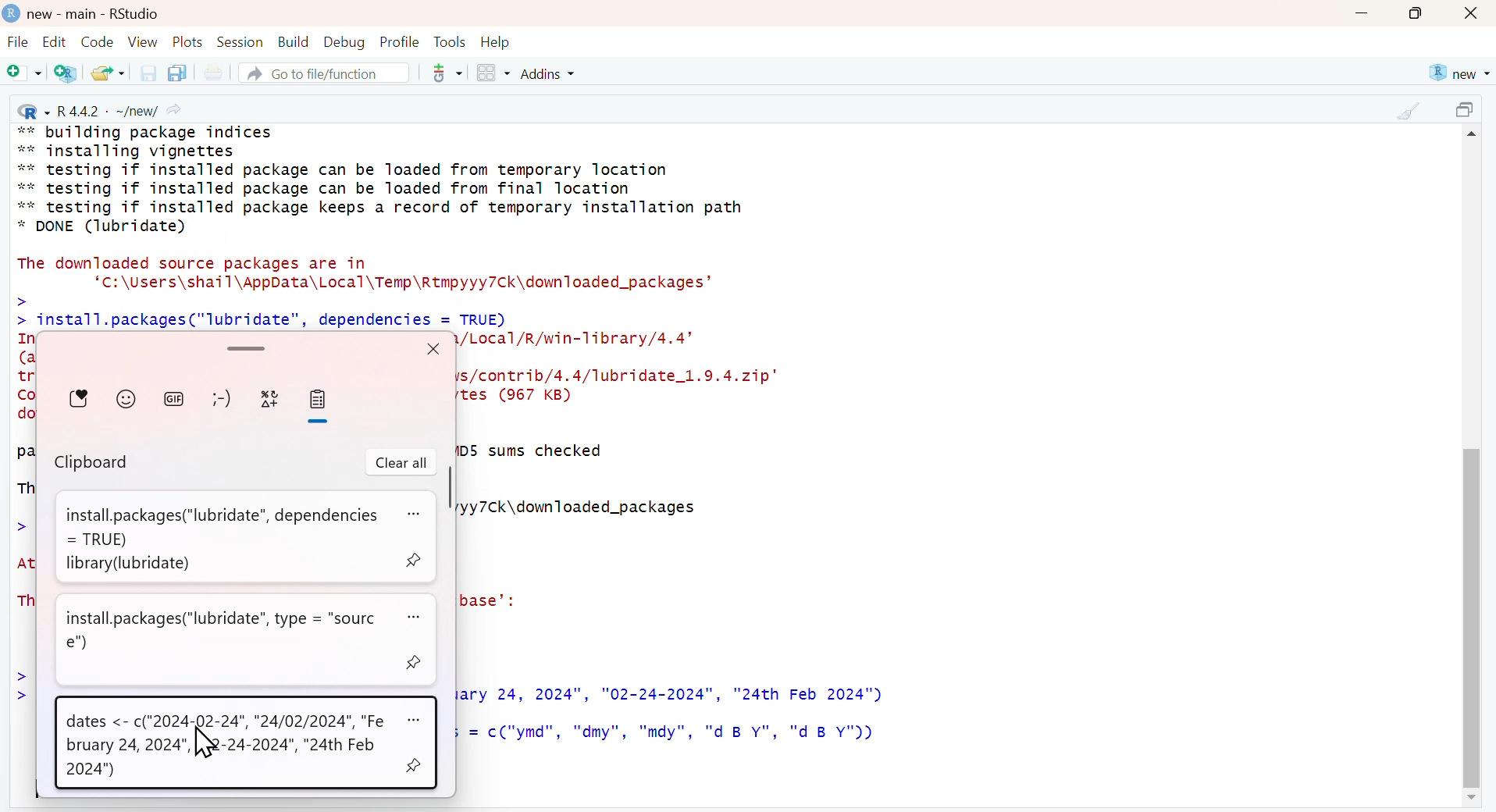  Describe the element at coordinates (416, 515) in the screenshot. I see `more options` at that location.